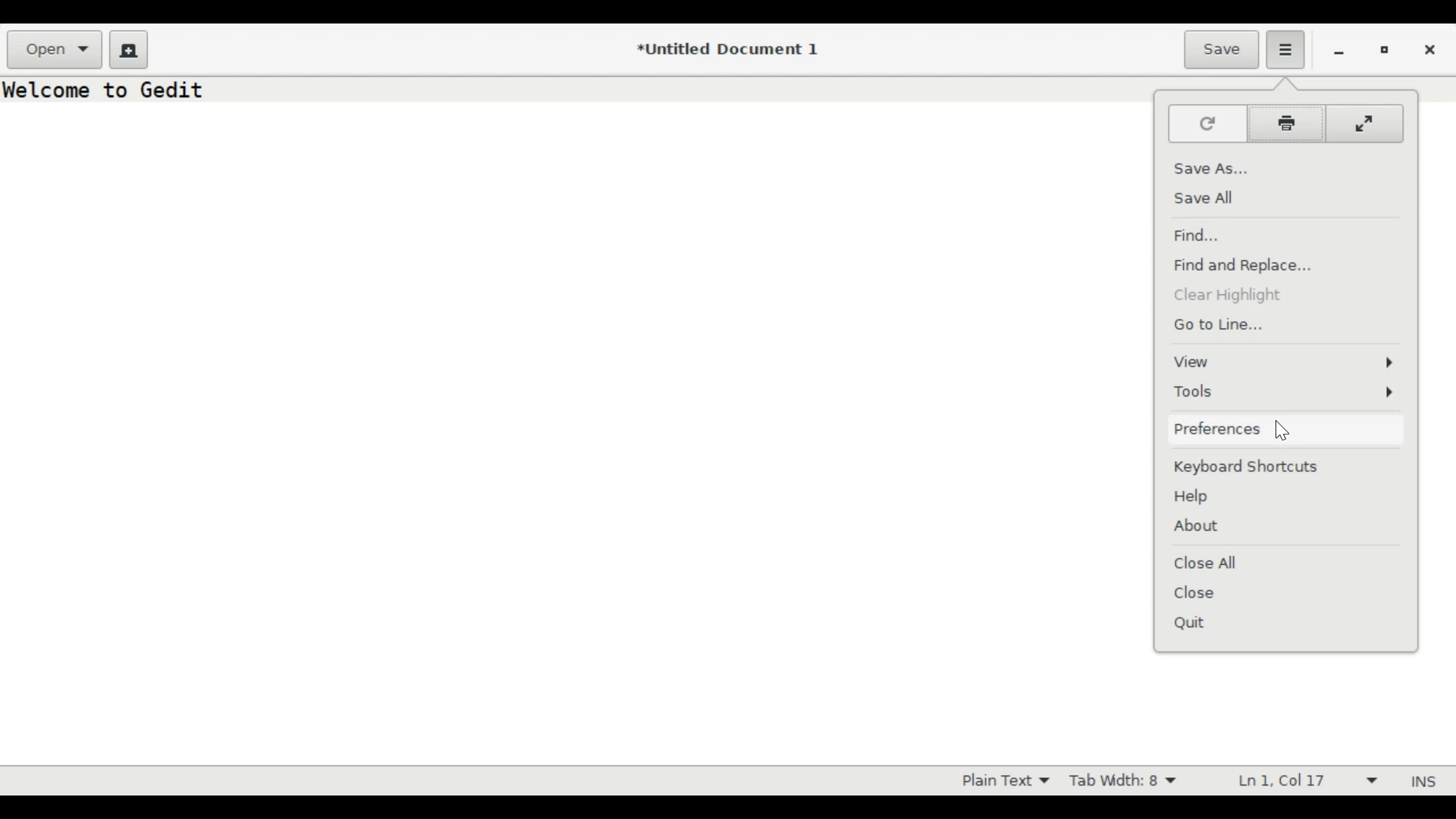  What do you see at coordinates (1288, 362) in the screenshot?
I see `View` at bounding box center [1288, 362].